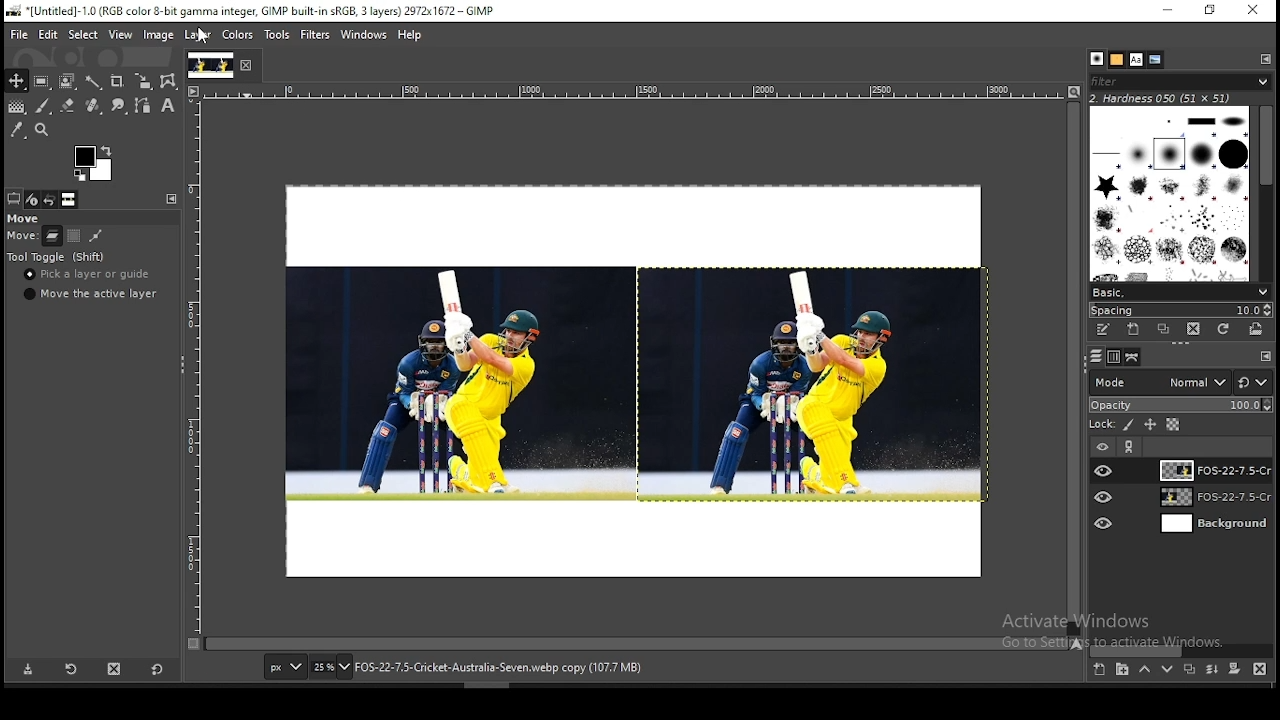 This screenshot has height=720, width=1280. Describe the element at coordinates (363, 35) in the screenshot. I see `windows` at that location.